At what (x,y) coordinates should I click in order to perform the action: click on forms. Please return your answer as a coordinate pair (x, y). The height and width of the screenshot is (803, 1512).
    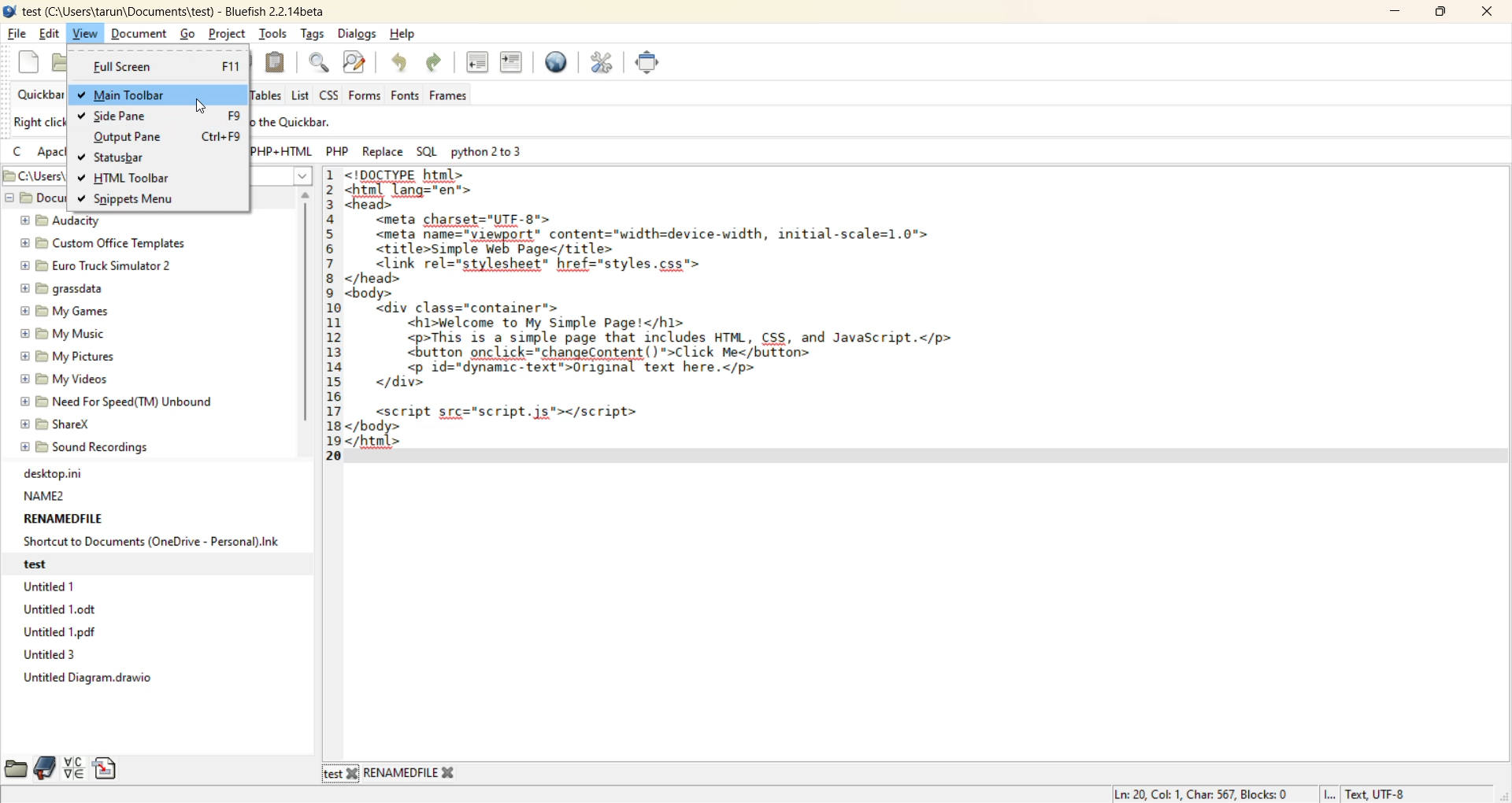
    Looking at the image, I should click on (365, 96).